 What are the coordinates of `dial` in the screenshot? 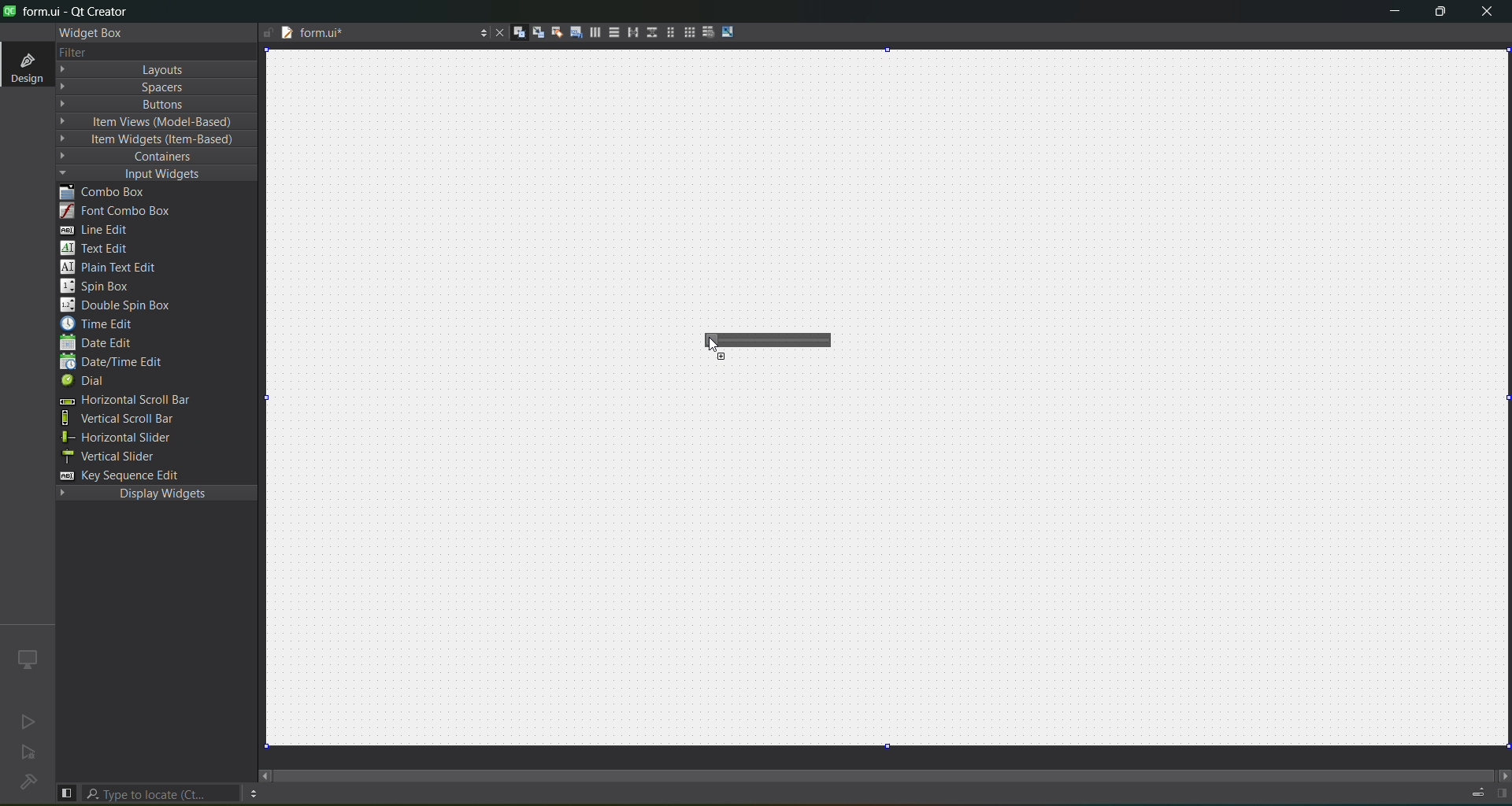 It's located at (87, 381).